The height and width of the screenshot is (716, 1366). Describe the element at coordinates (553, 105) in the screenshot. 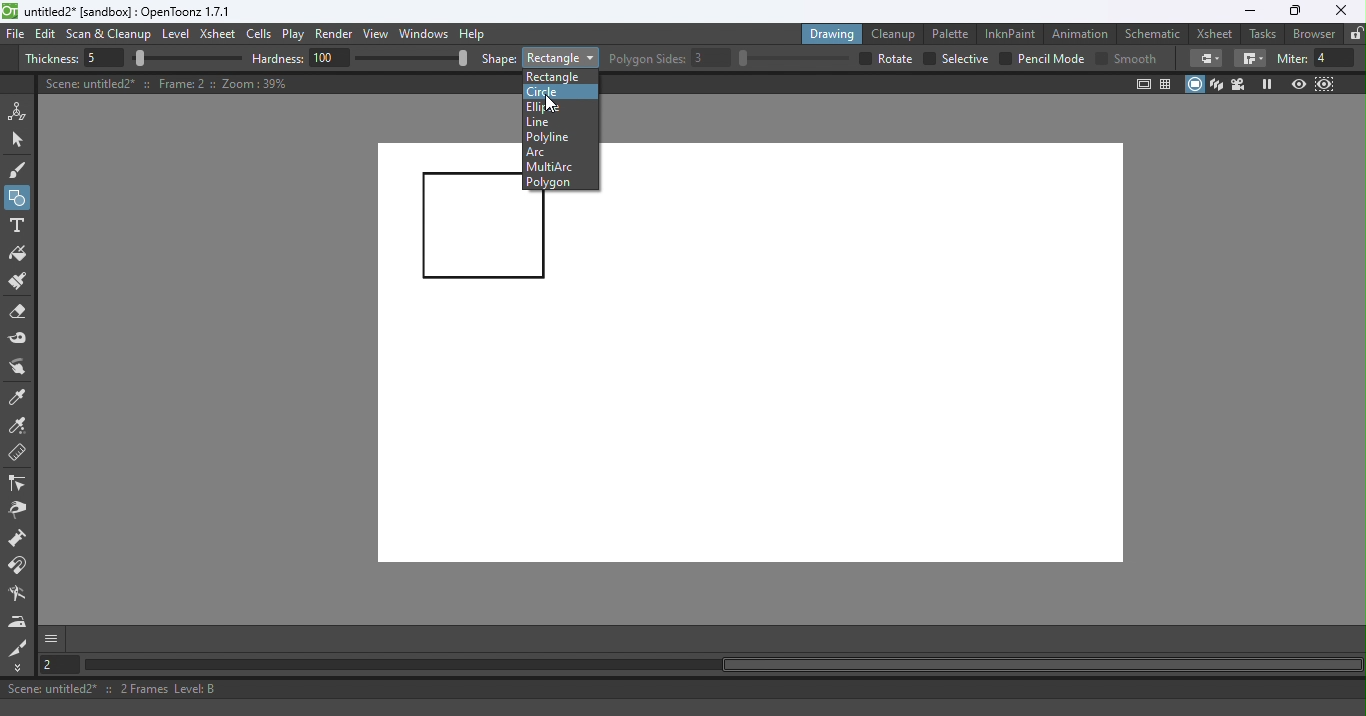

I see `Cursor` at that location.